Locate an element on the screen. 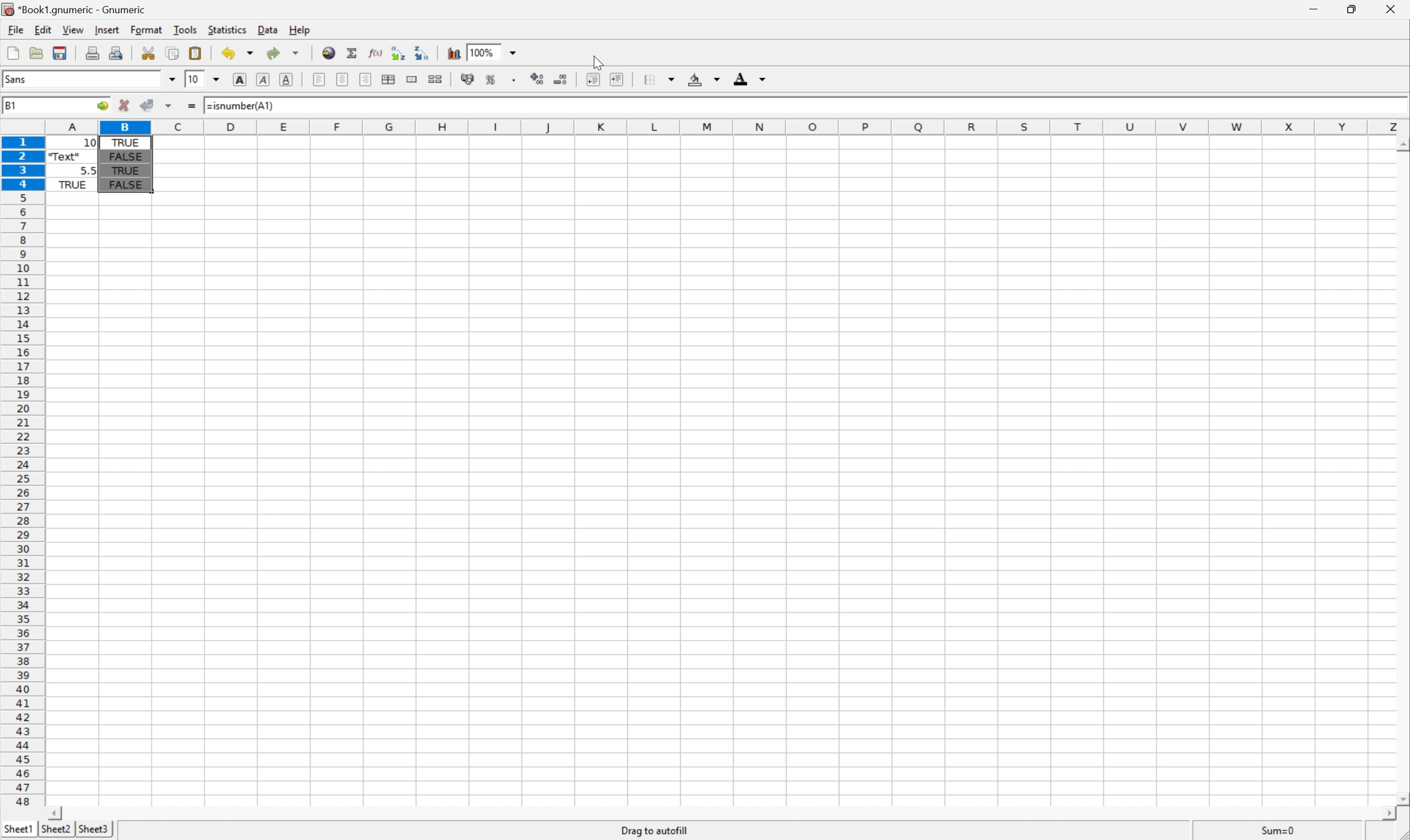 This screenshot has height=840, width=1410. Scroll Right is located at coordinates (1381, 812).